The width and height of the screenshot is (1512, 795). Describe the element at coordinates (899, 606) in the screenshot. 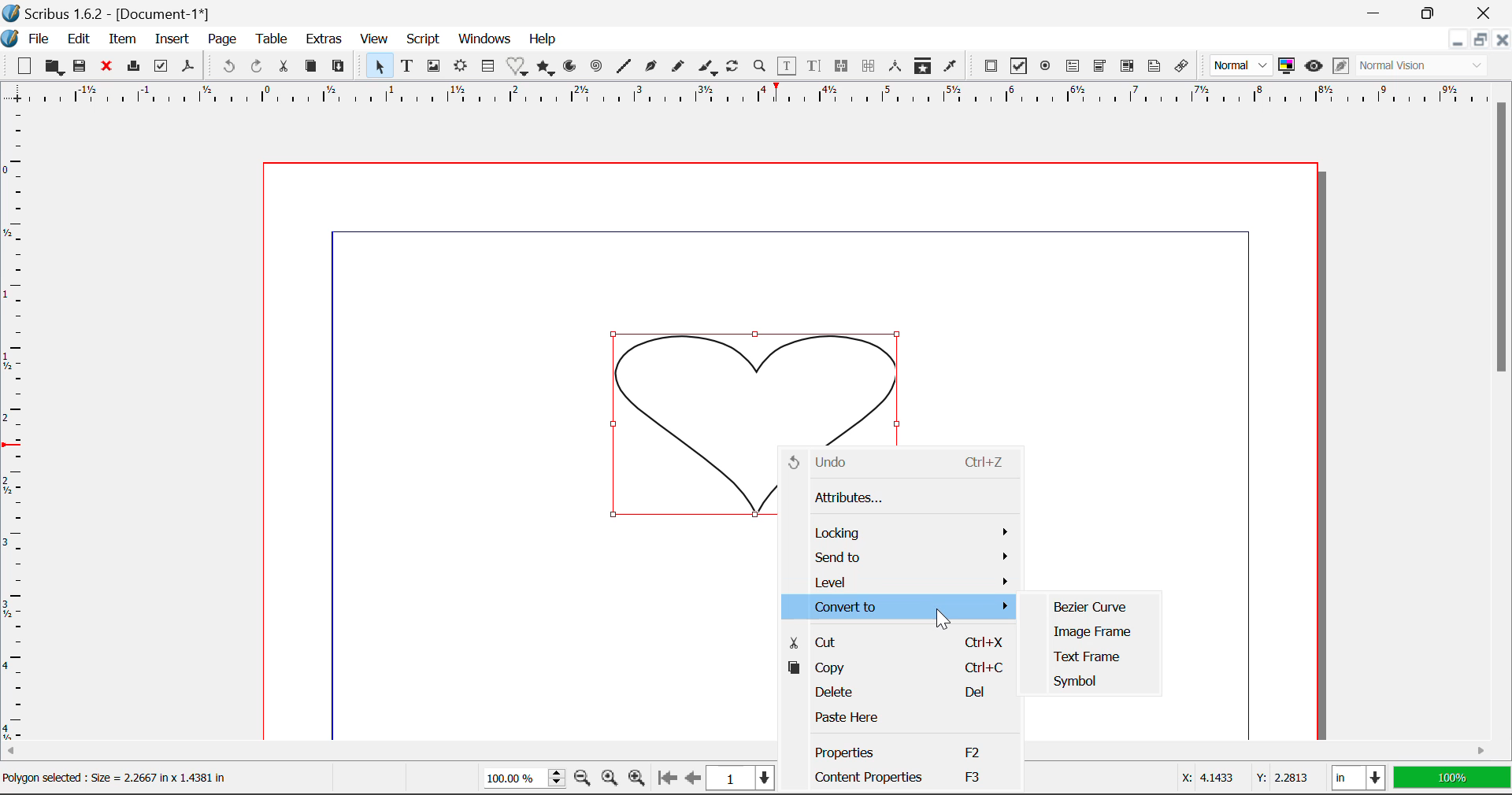

I see `Convert to` at that location.